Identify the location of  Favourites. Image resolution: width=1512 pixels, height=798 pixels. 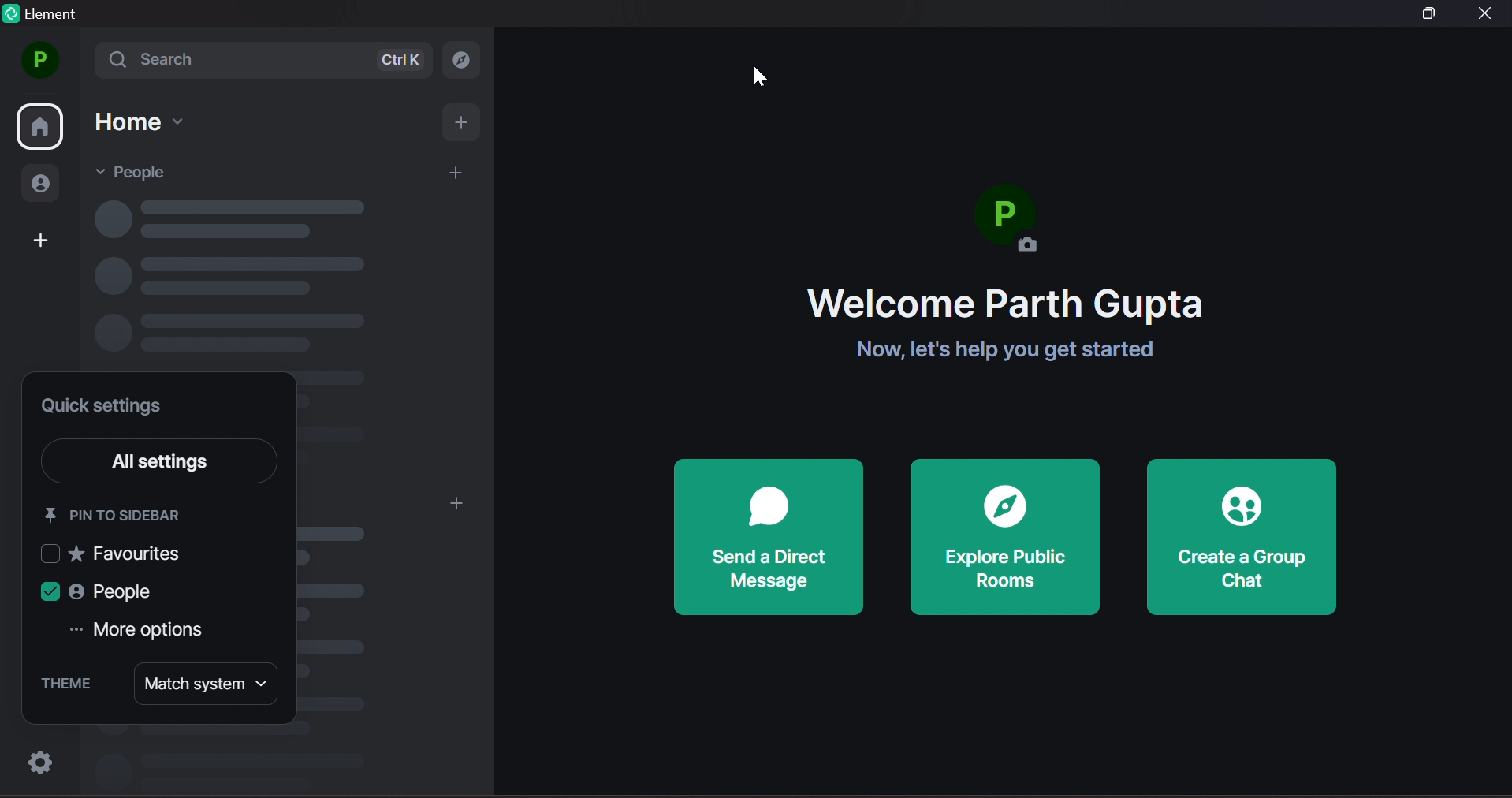
(116, 554).